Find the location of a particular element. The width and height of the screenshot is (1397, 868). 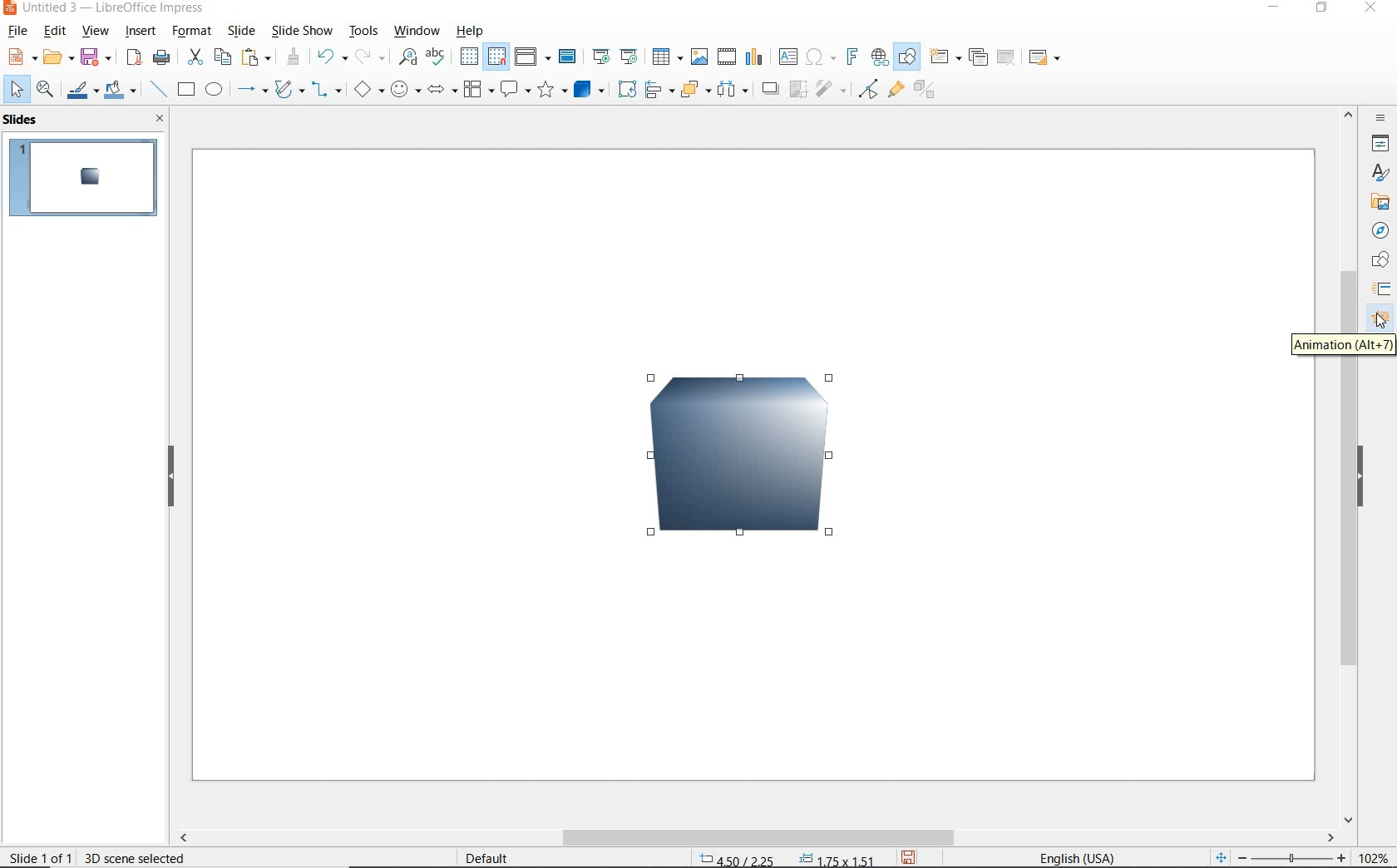

start from current slide is located at coordinates (629, 57).